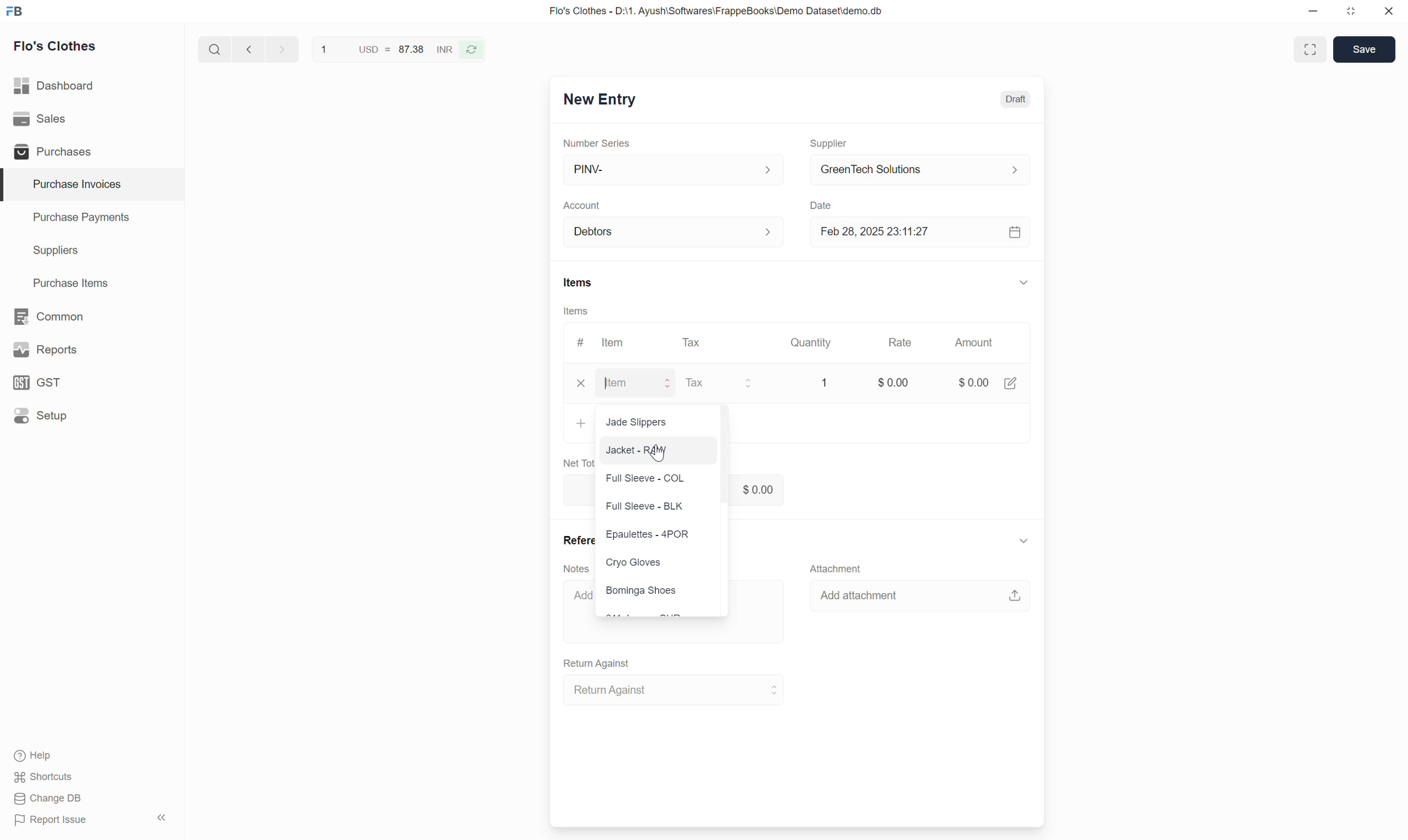  I want to click on Date, so click(821, 205).